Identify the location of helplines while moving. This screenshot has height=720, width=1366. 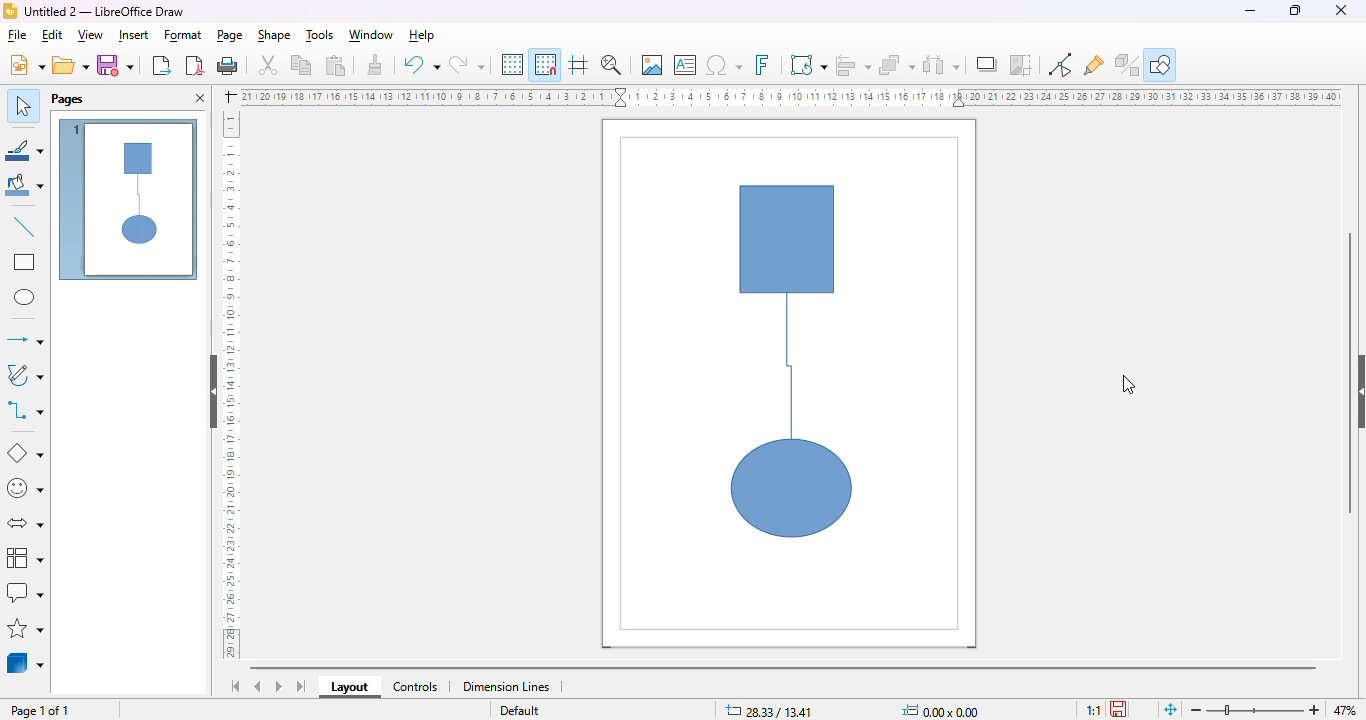
(578, 65).